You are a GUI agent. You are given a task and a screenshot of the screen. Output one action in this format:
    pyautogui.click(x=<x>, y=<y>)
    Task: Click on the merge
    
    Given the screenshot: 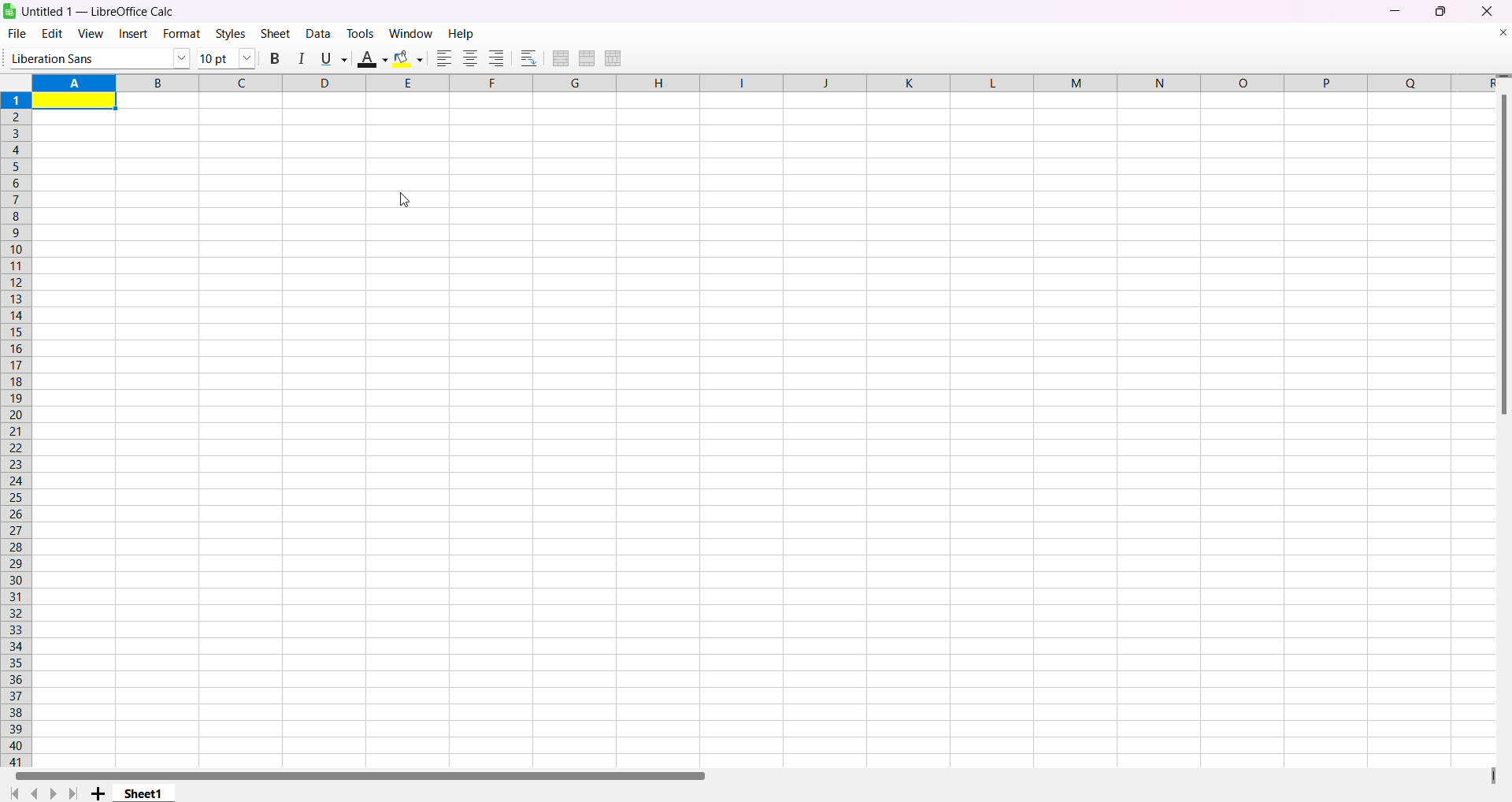 What is the action you would take?
    pyautogui.click(x=588, y=58)
    